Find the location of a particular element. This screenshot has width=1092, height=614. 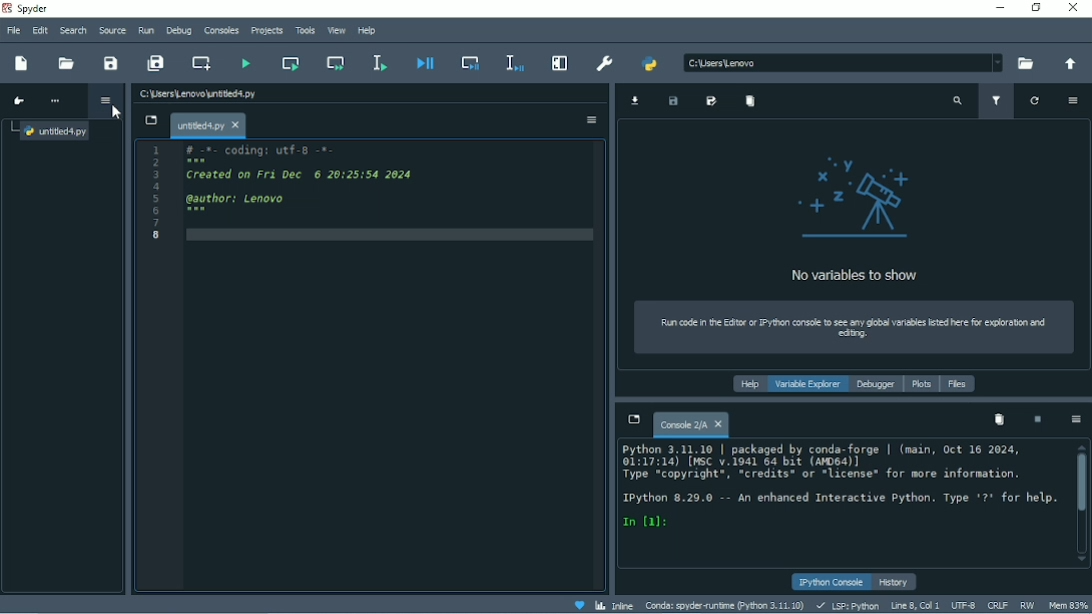

View is located at coordinates (336, 30).